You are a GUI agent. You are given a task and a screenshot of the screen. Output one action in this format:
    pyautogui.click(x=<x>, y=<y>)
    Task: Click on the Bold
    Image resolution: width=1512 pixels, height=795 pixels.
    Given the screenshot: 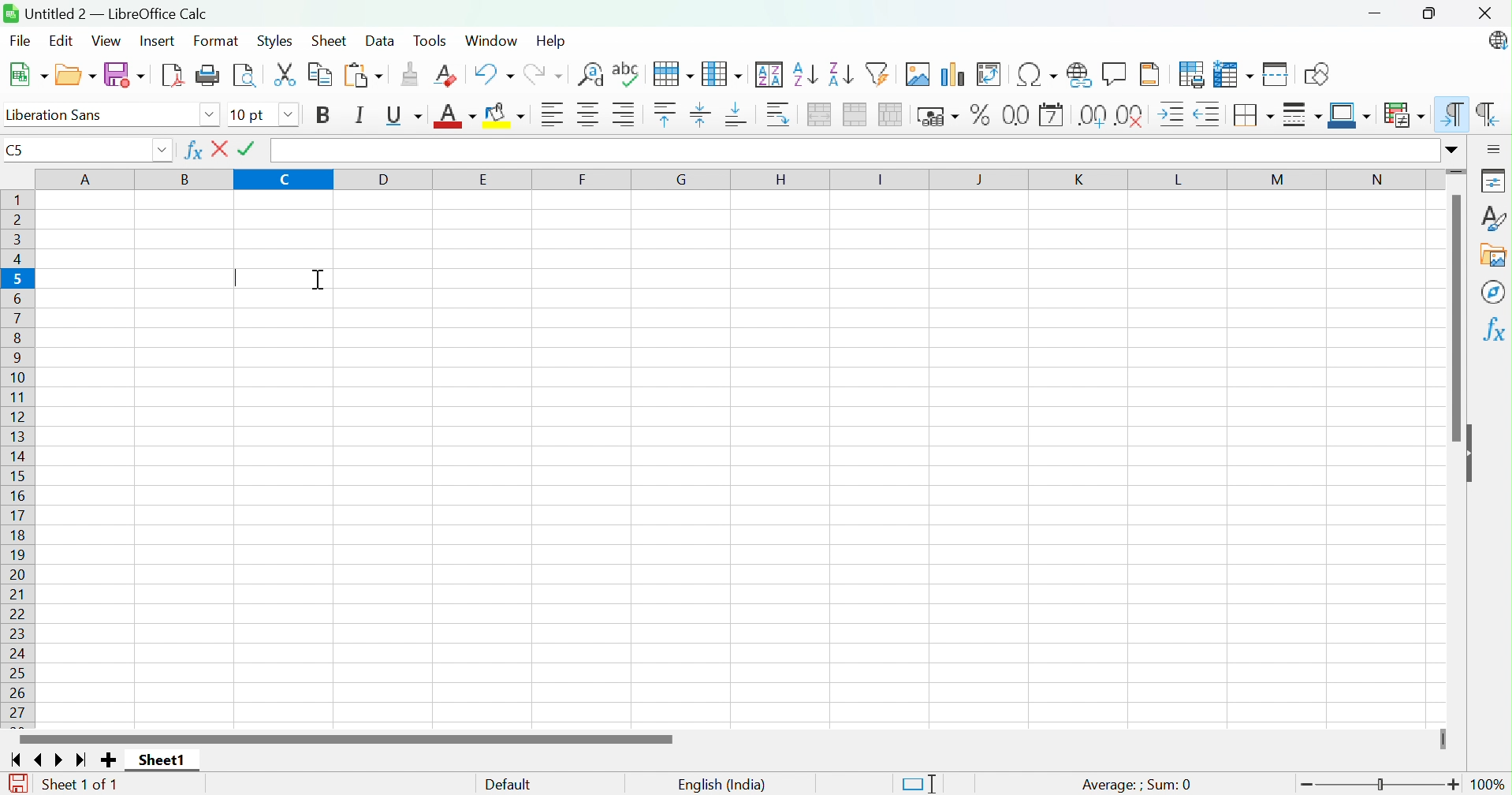 What is the action you would take?
    pyautogui.click(x=326, y=117)
    